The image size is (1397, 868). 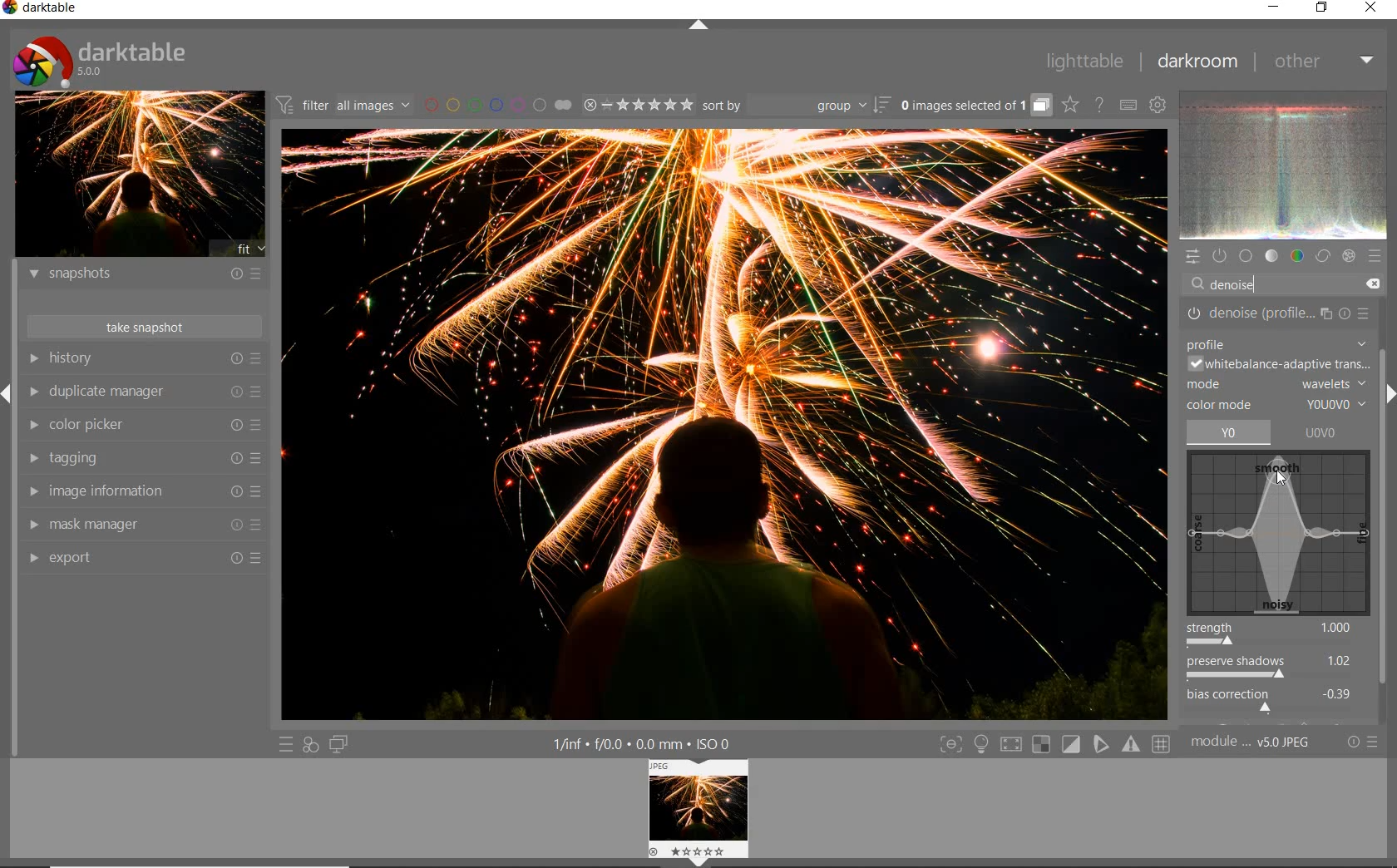 I want to click on snapshots, so click(x=143, y=274).